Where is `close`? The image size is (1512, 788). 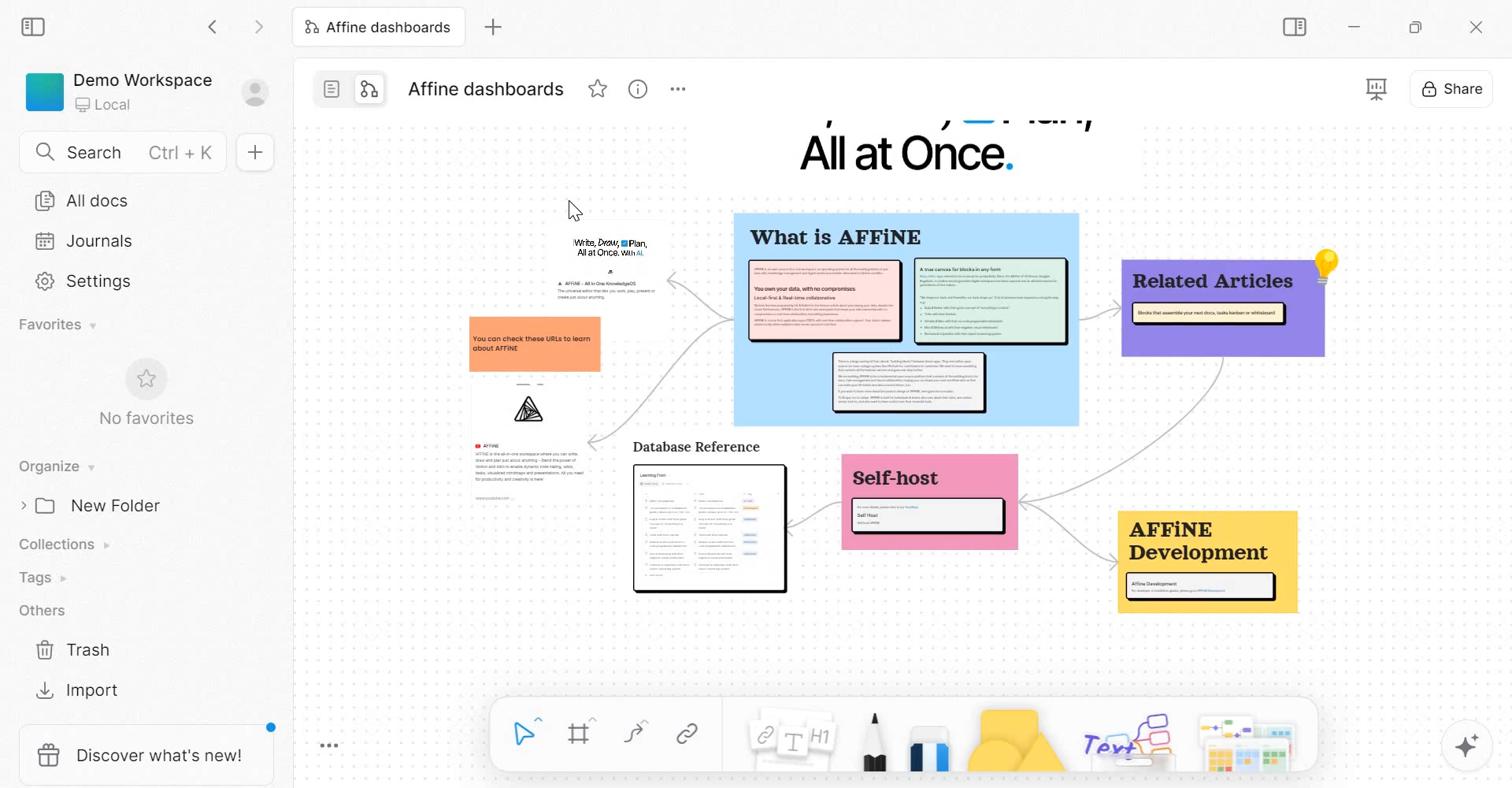
close is located at coordinates (1477, 29).